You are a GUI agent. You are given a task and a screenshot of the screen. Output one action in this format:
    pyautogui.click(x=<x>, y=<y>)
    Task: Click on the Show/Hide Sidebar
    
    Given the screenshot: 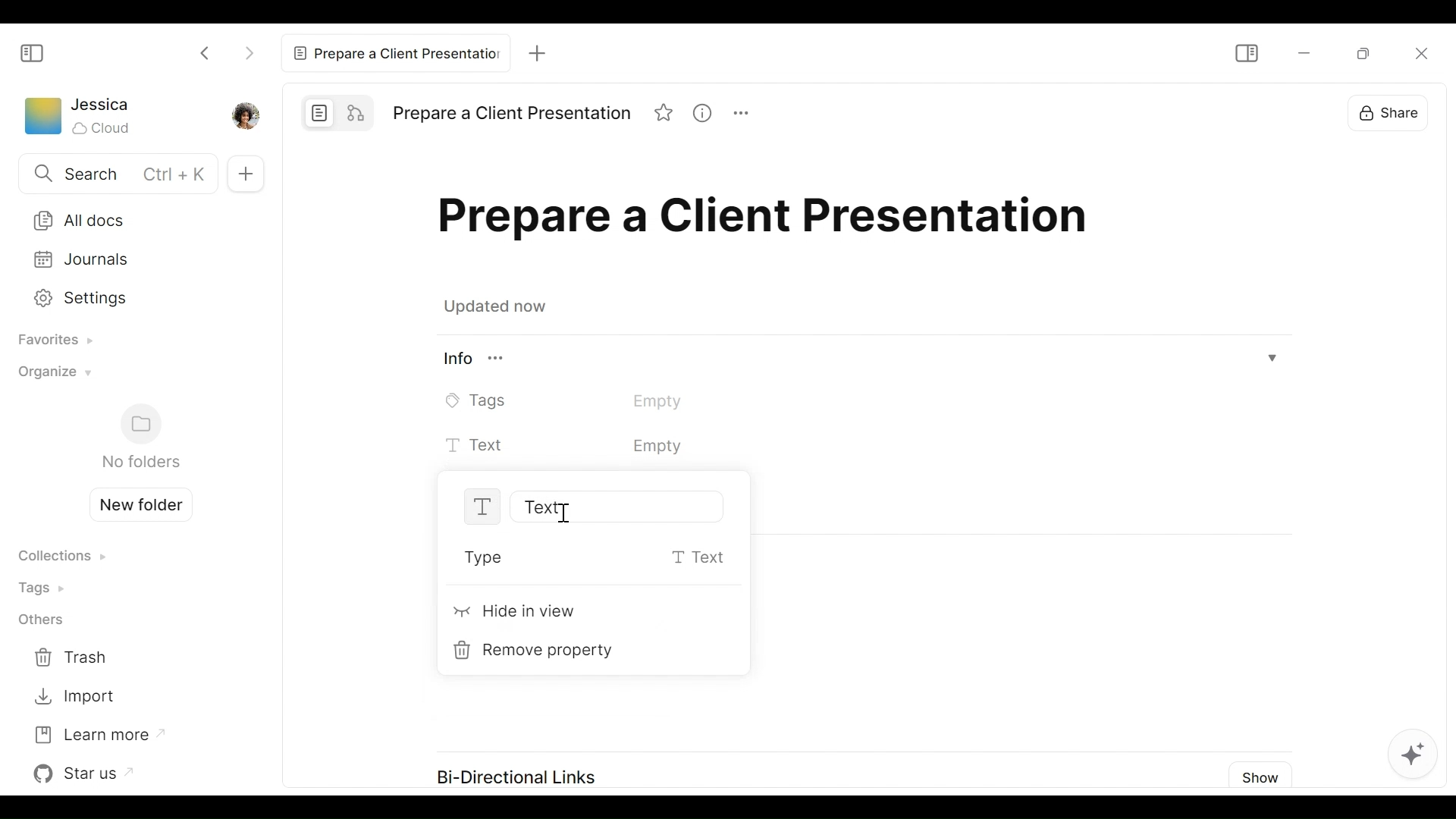 What is the action you would take?
    pyautogui.click(x=33, y=52)
    